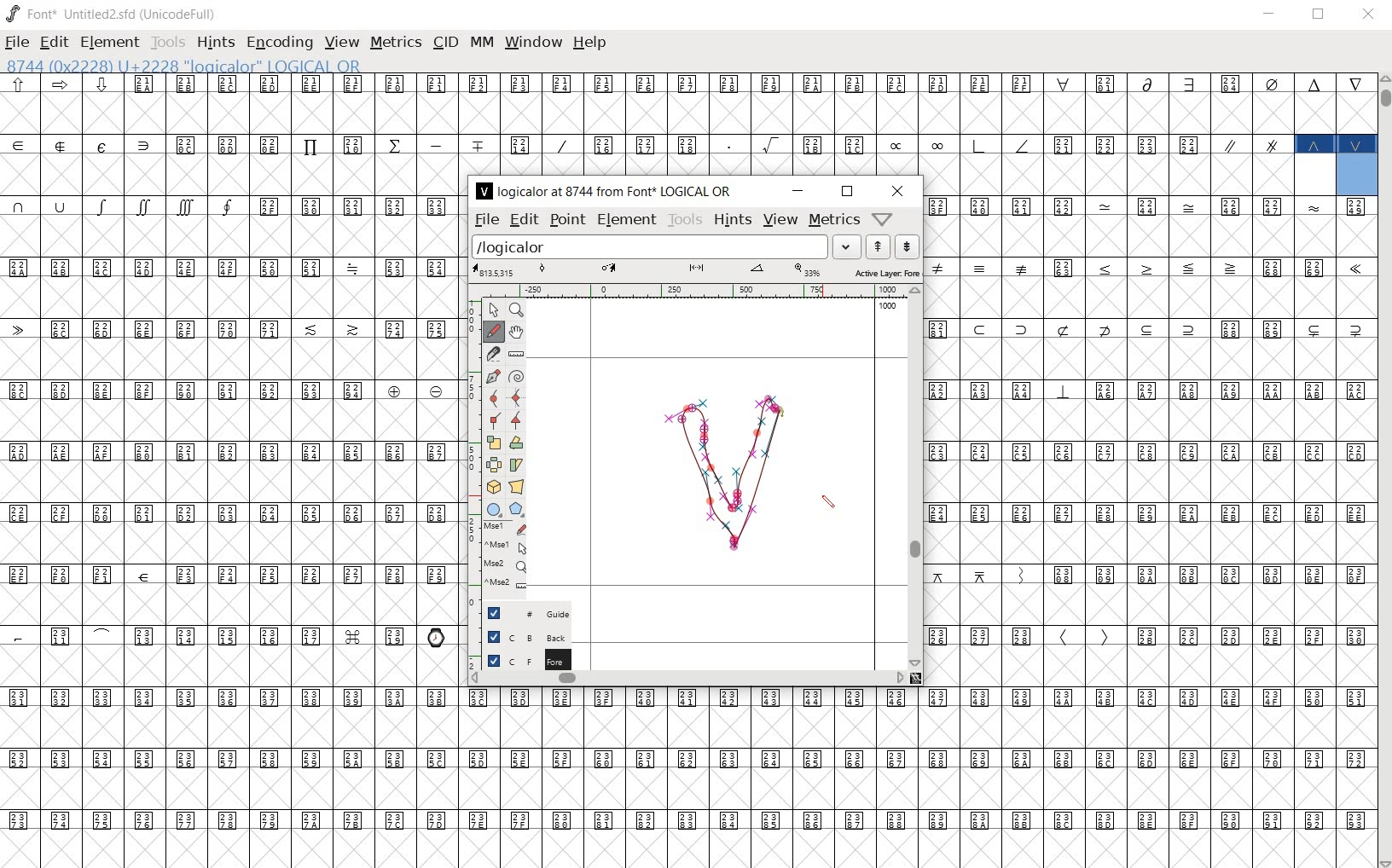 This screenshot has width=1392, height=868. Describe the element at coordinates (395, 43) in the screenshot. I see `metrics` at that location.